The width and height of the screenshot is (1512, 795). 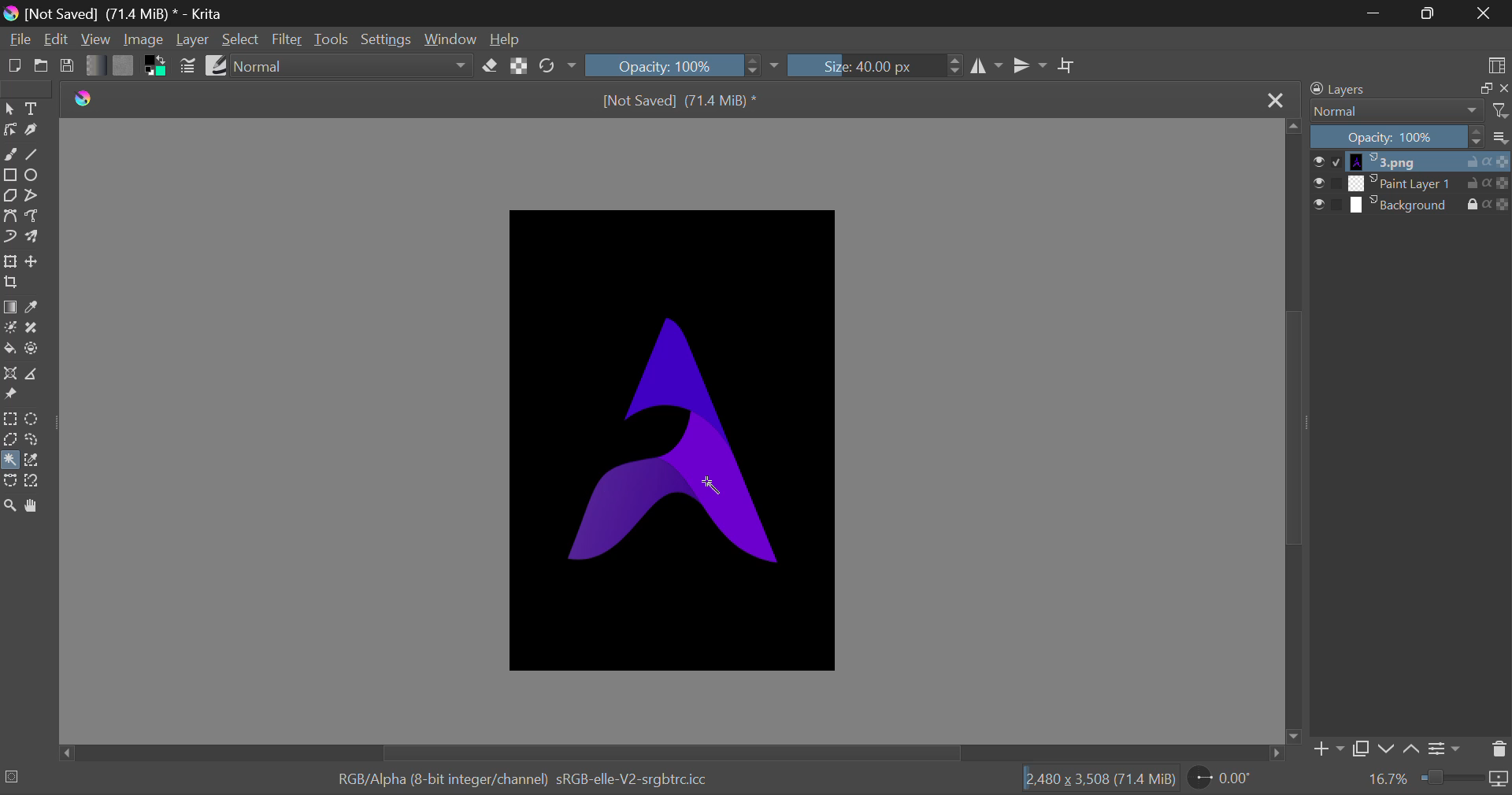 I want to click on Add Layer, so click(x=1328, y=749).